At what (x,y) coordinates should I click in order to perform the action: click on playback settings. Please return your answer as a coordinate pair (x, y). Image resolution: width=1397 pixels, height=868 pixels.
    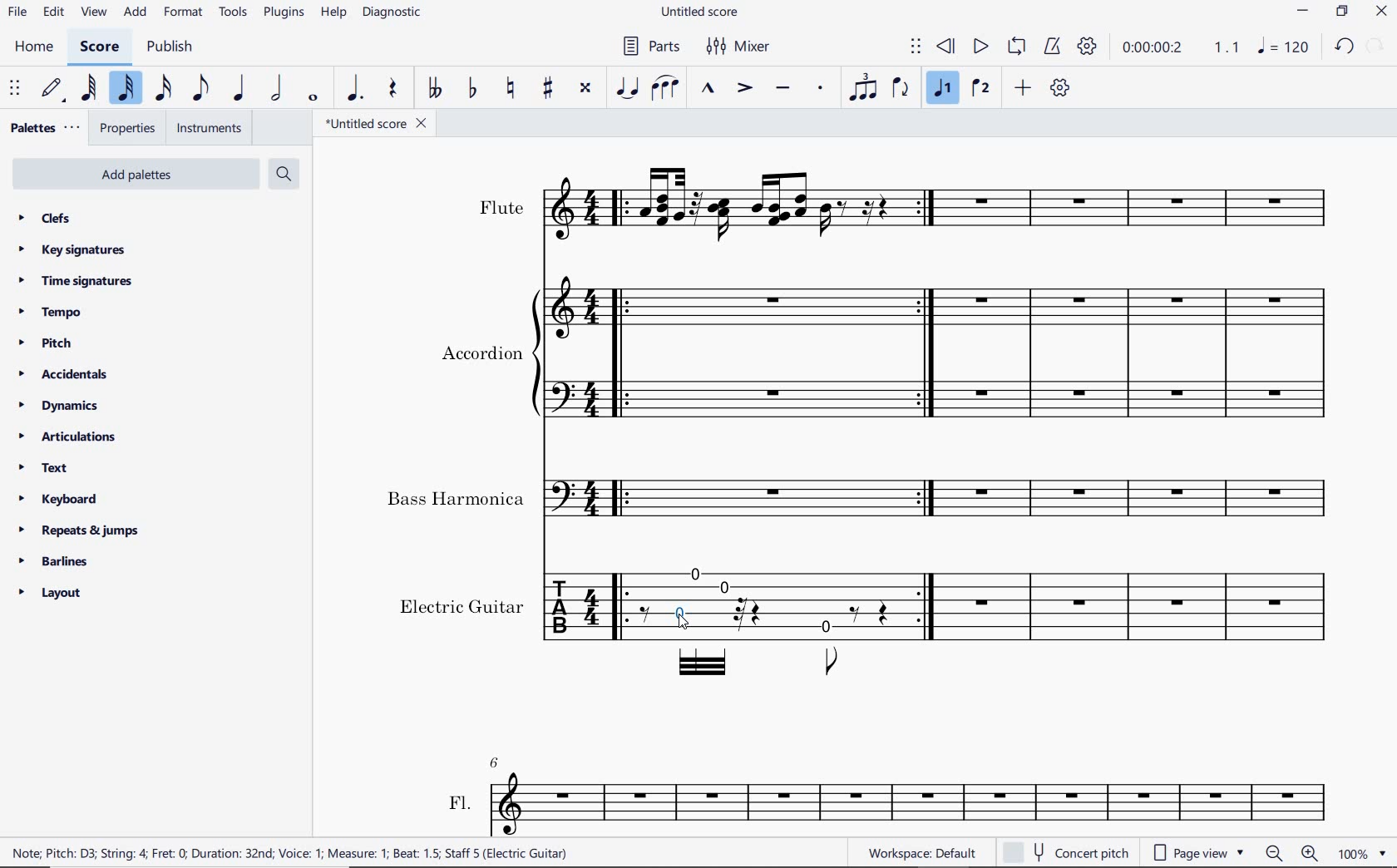
    Looking at the image, I should click on (1086, 47).